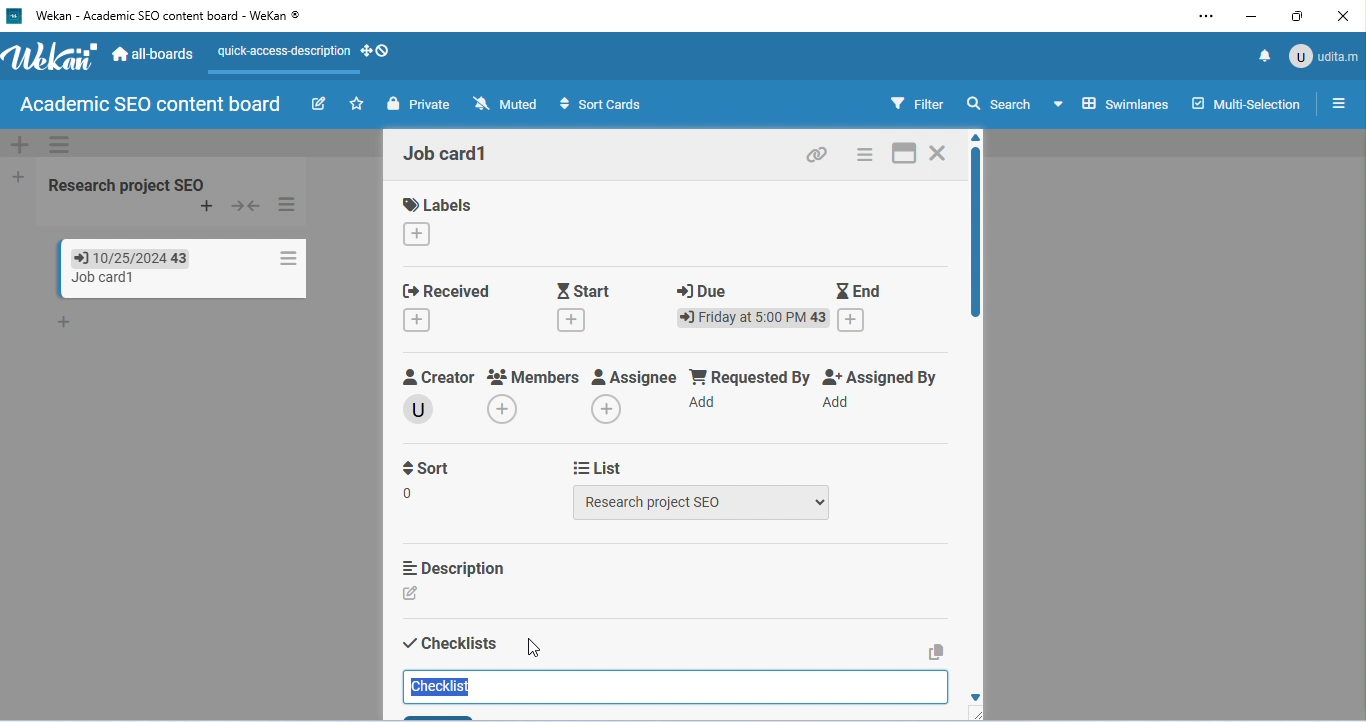  What do you see at coordinates (860, 288) in the screenshot?
I see `end` at bounding box center [860, 288].